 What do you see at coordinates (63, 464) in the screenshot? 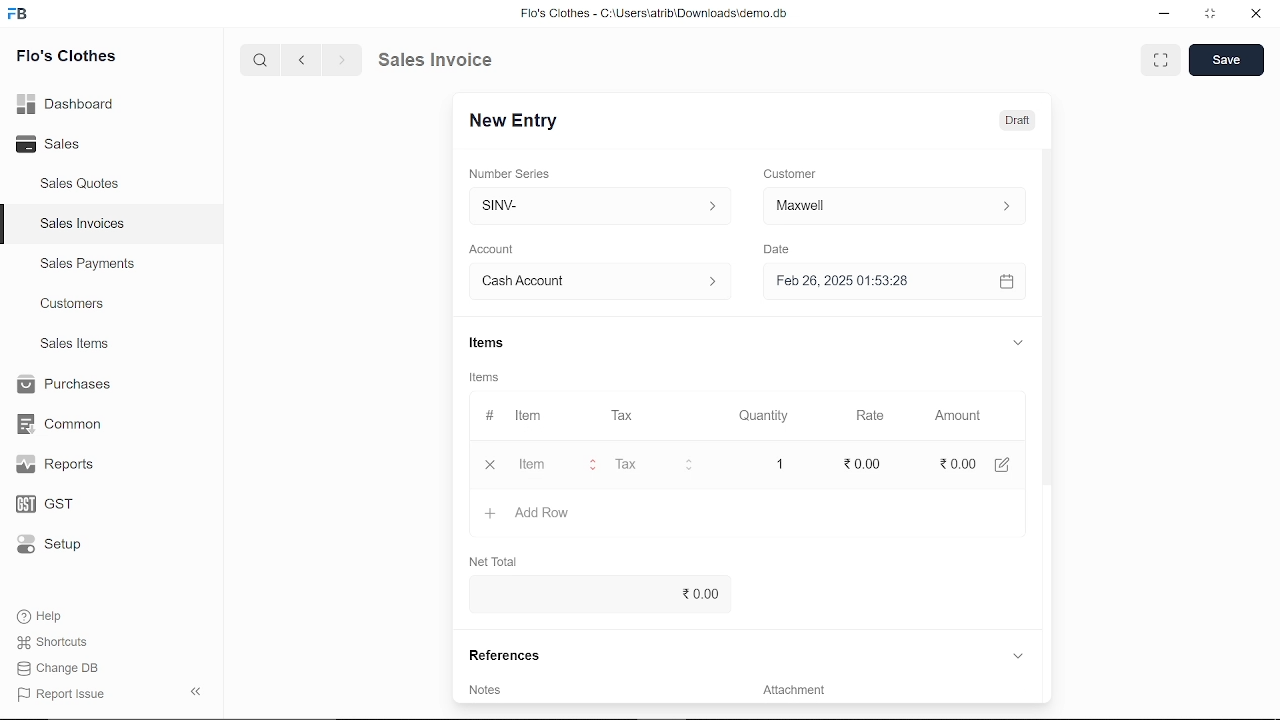
I see `Reports.` at bounding box center [63, 464].